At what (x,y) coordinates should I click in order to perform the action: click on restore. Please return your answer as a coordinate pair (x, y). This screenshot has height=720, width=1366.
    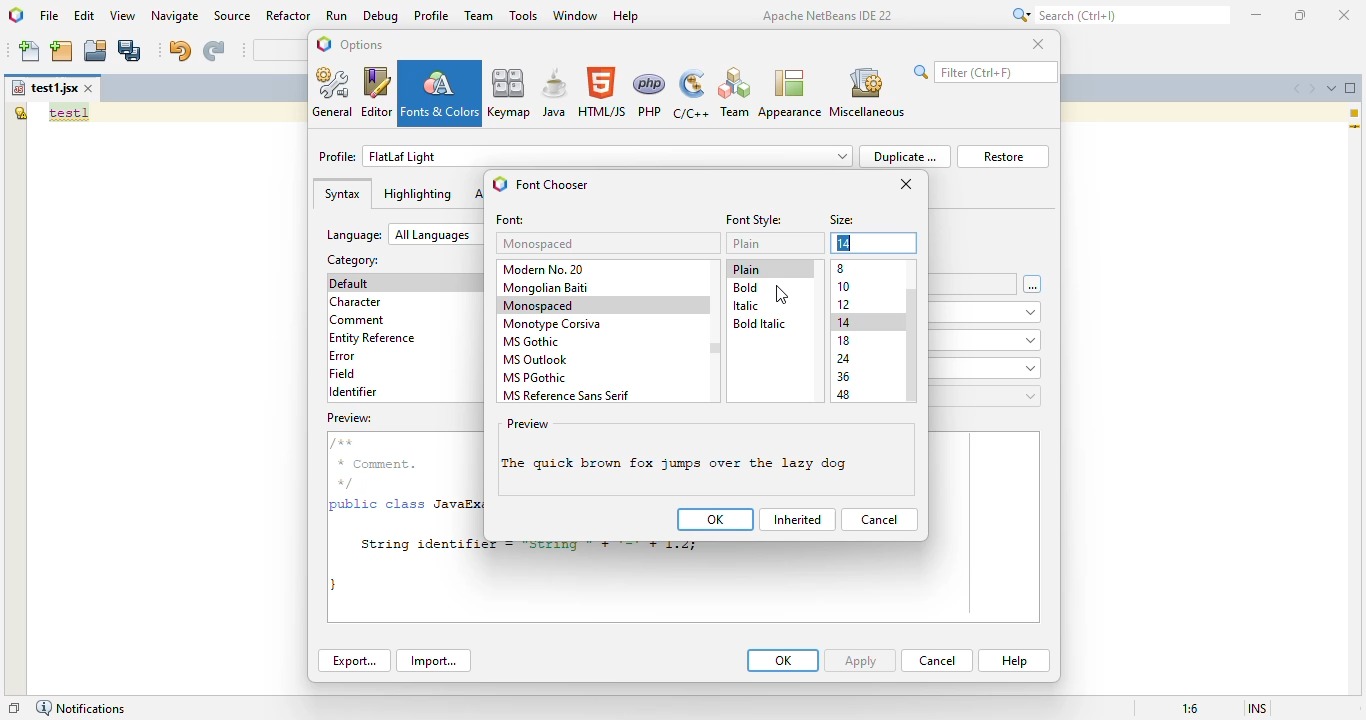
    Looking at the image, I should click on (1003, 156).